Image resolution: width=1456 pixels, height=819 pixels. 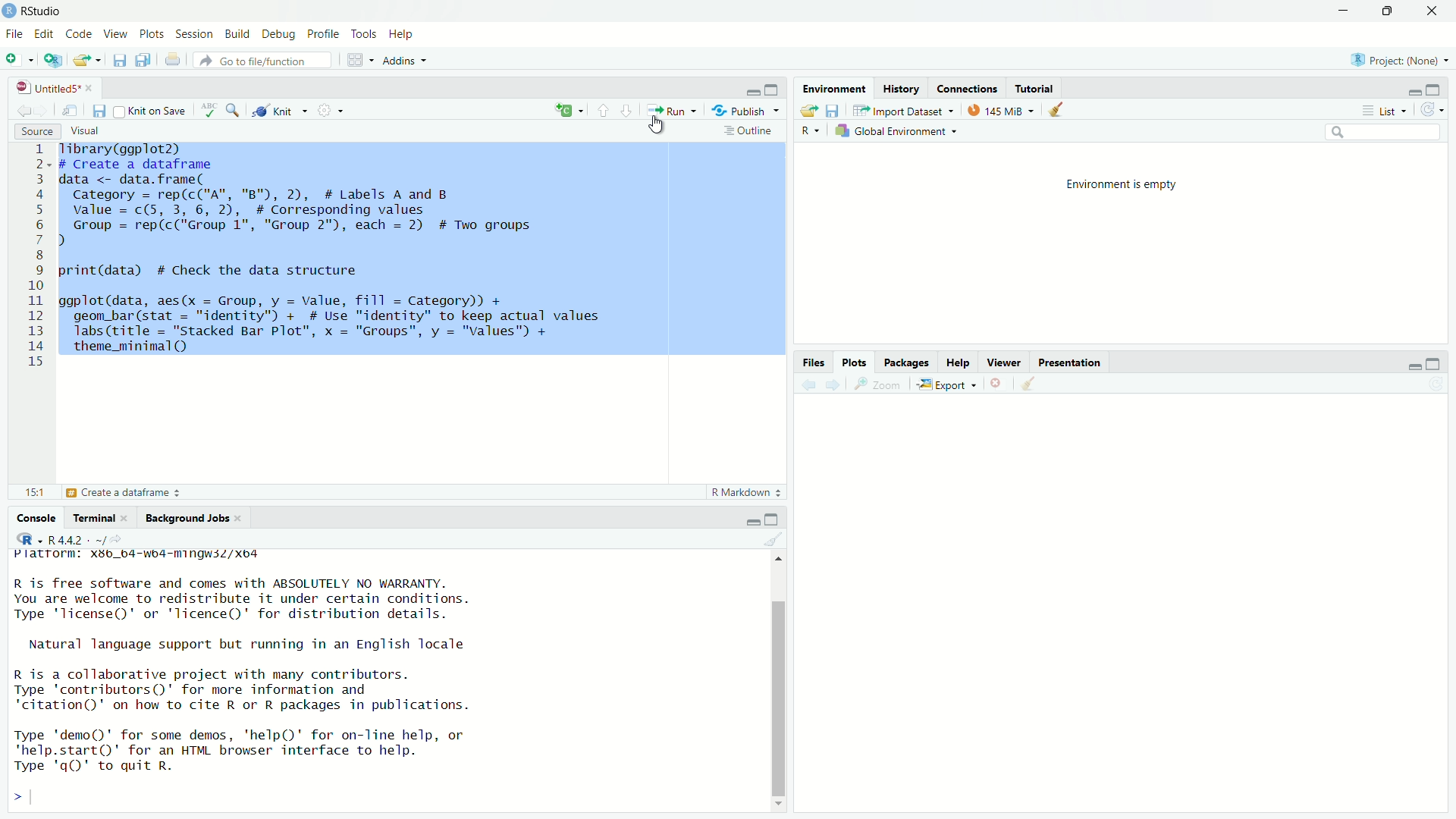 I want to click on Close, so click(x=1435, y=12).